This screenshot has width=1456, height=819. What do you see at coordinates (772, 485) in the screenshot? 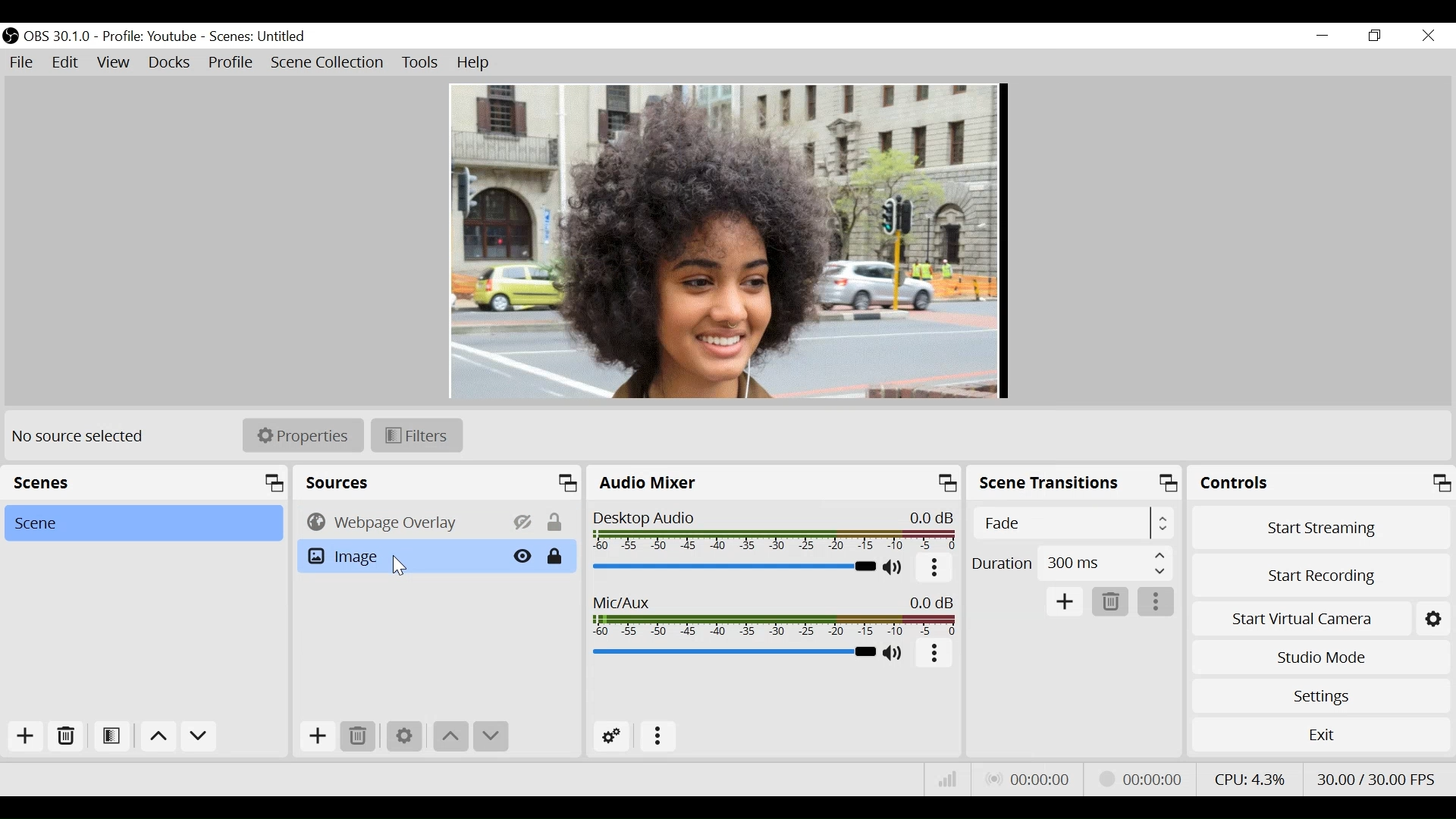
I see `Audio Mixer` at bounding box center [772, 485].